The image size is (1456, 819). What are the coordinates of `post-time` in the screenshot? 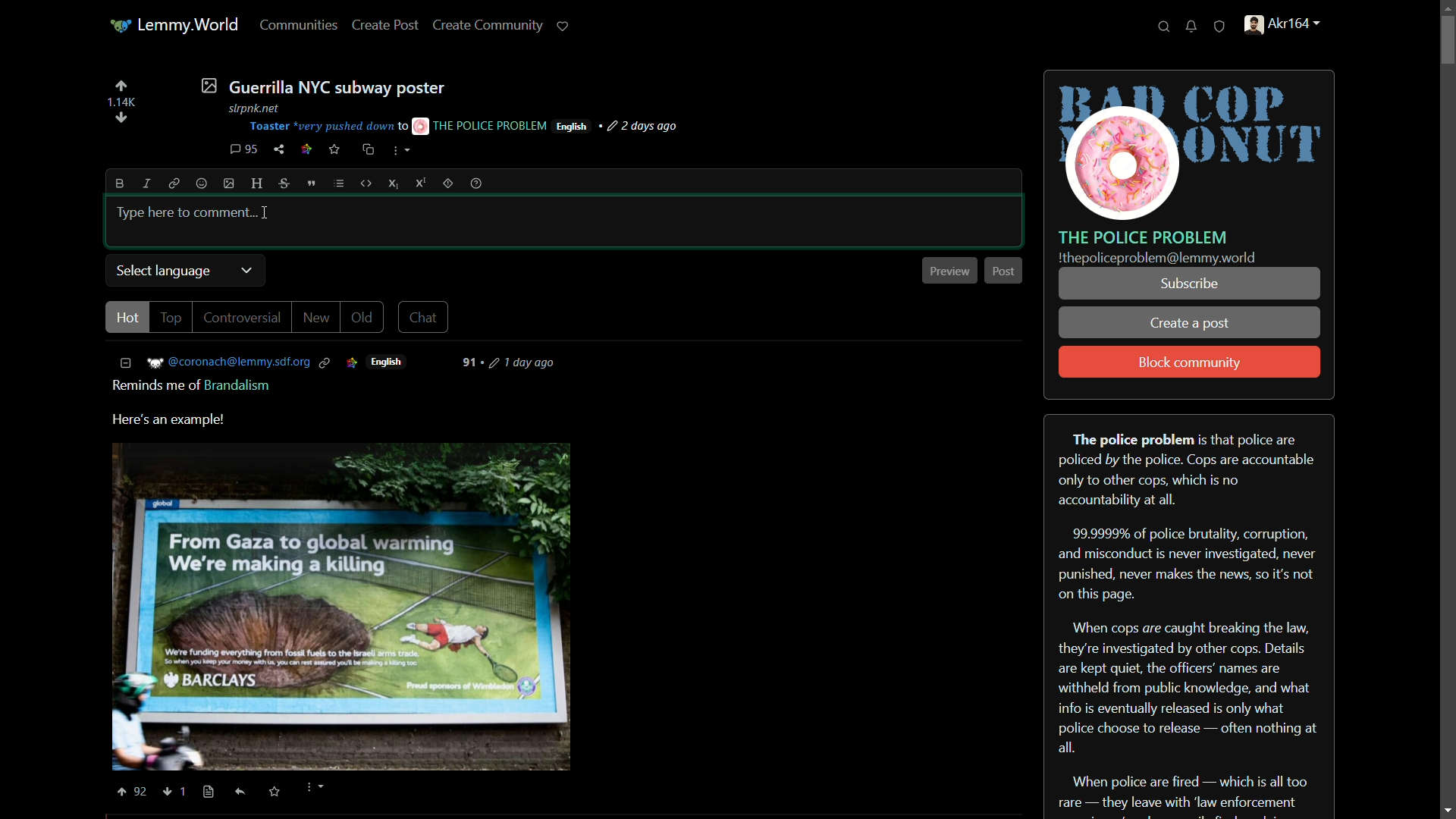 It's located at (645, 127).